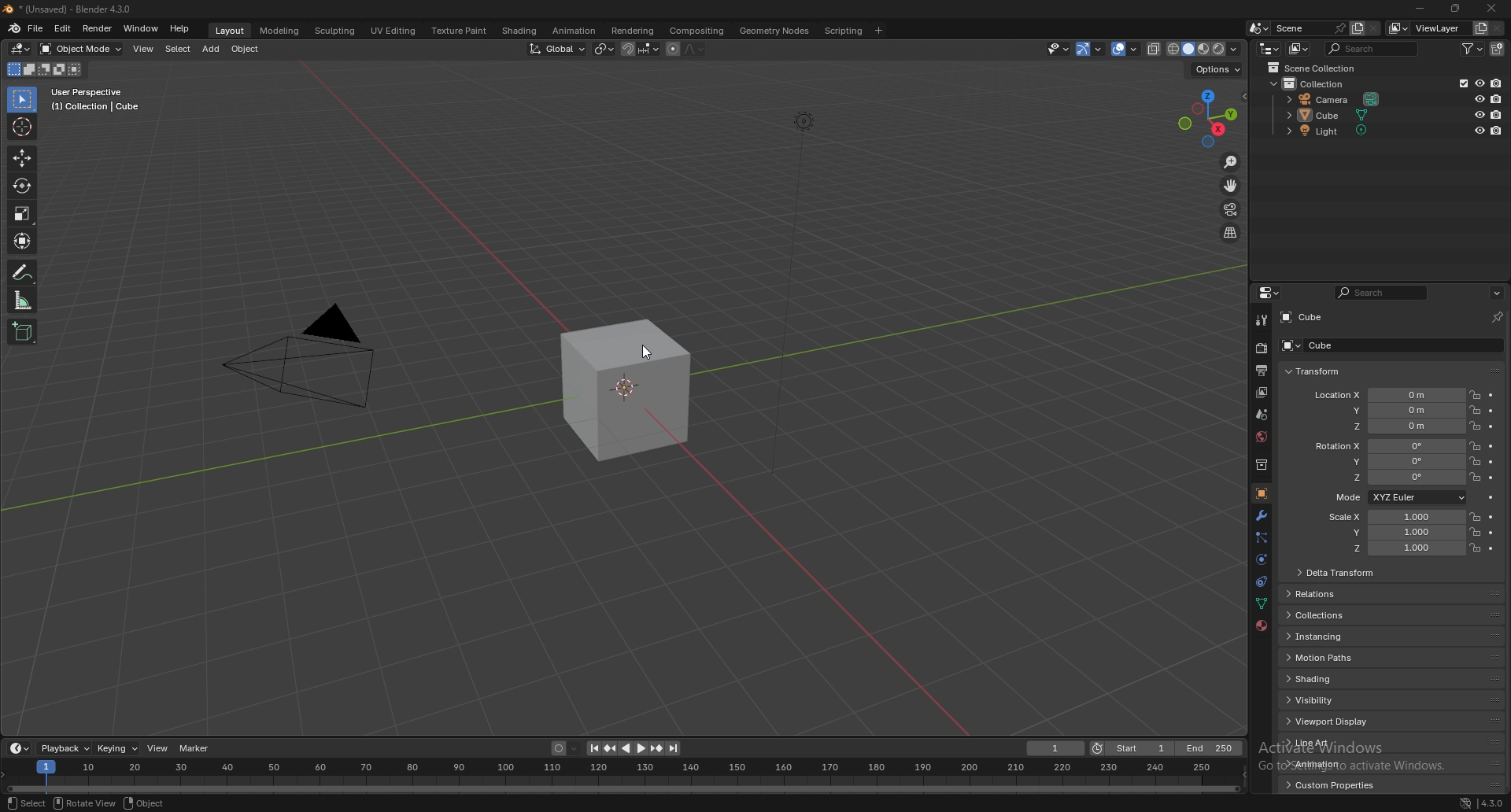  Describe the element at coordinates (1475, 426) in the screenshot. I see `lock` at that location.